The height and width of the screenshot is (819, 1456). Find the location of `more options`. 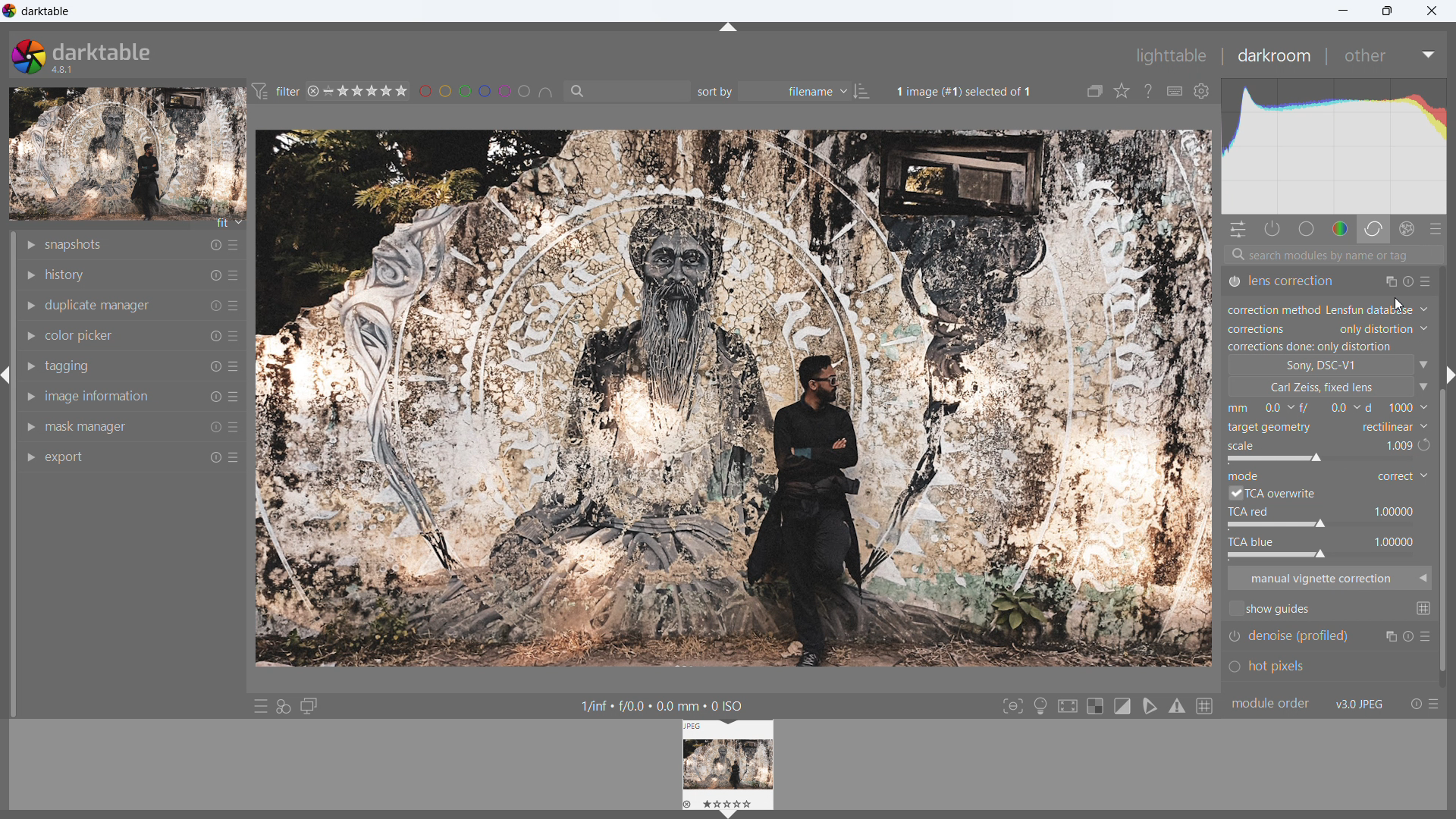

more options is located at coordinates (235, 428).